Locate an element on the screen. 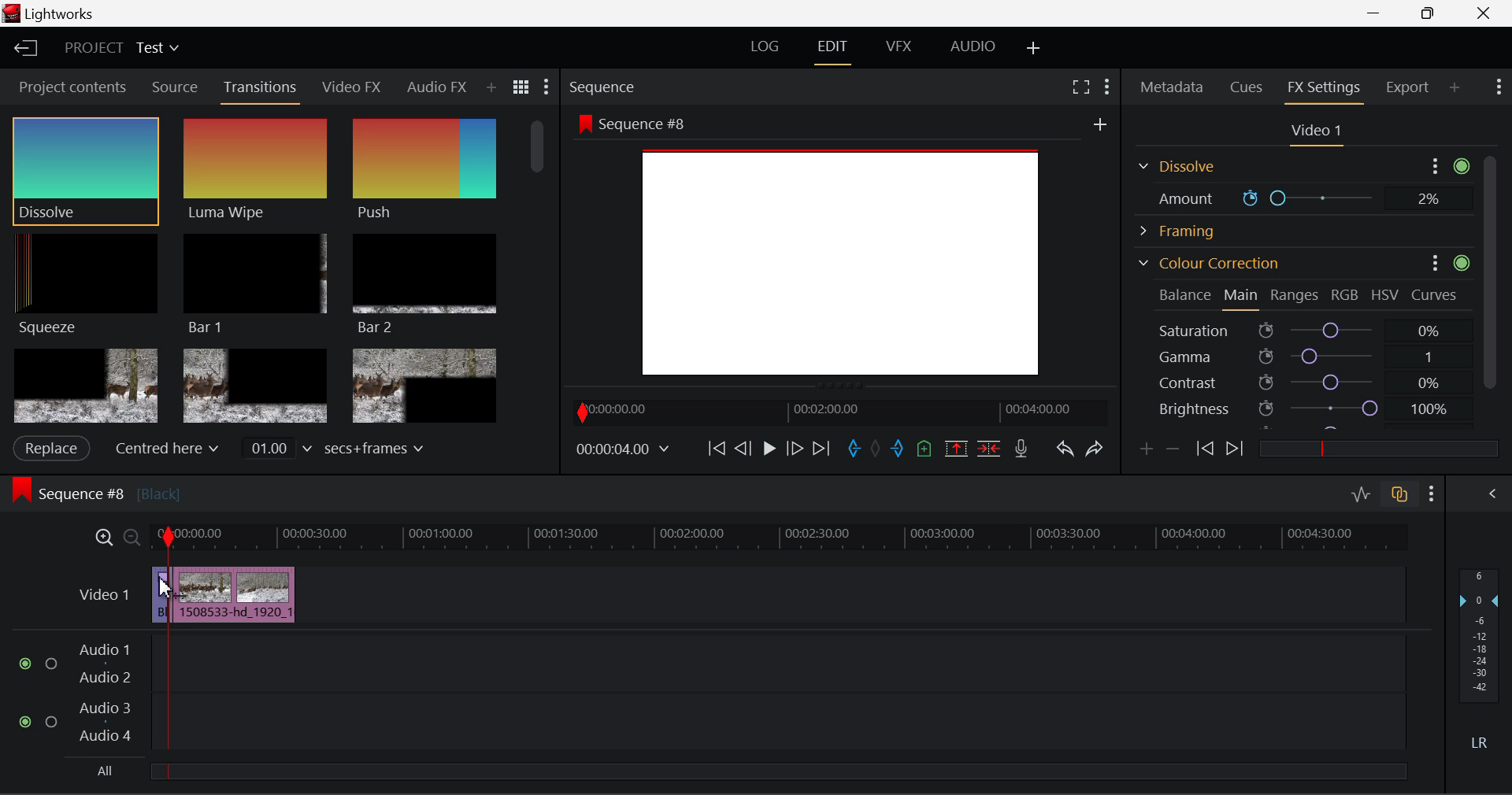 This screenshot has width=1512, height=795. Mark In is located at coordinates (855, 449).